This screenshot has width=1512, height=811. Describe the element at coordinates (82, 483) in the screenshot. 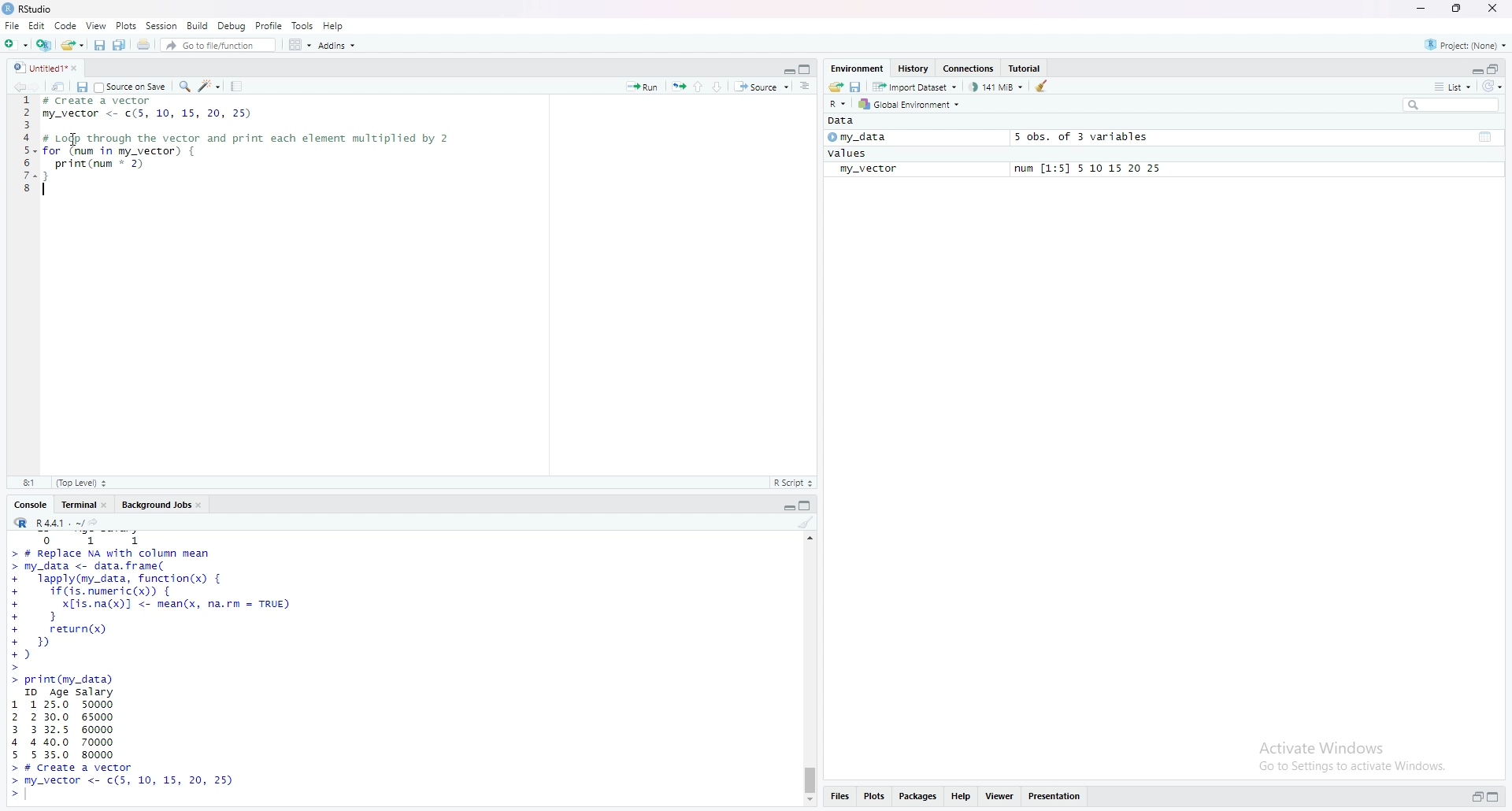

I see `top level` at that location.